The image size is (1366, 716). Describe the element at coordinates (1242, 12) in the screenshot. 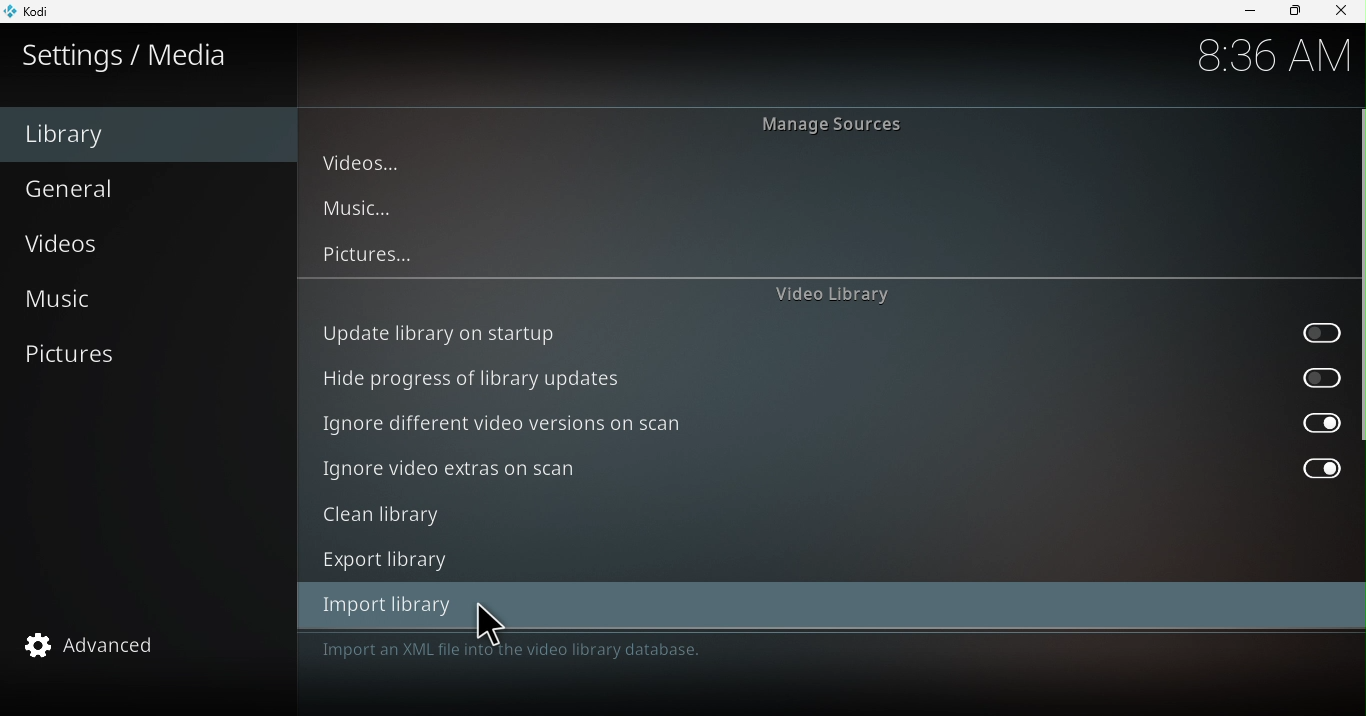

I see `Minimize` at that location.